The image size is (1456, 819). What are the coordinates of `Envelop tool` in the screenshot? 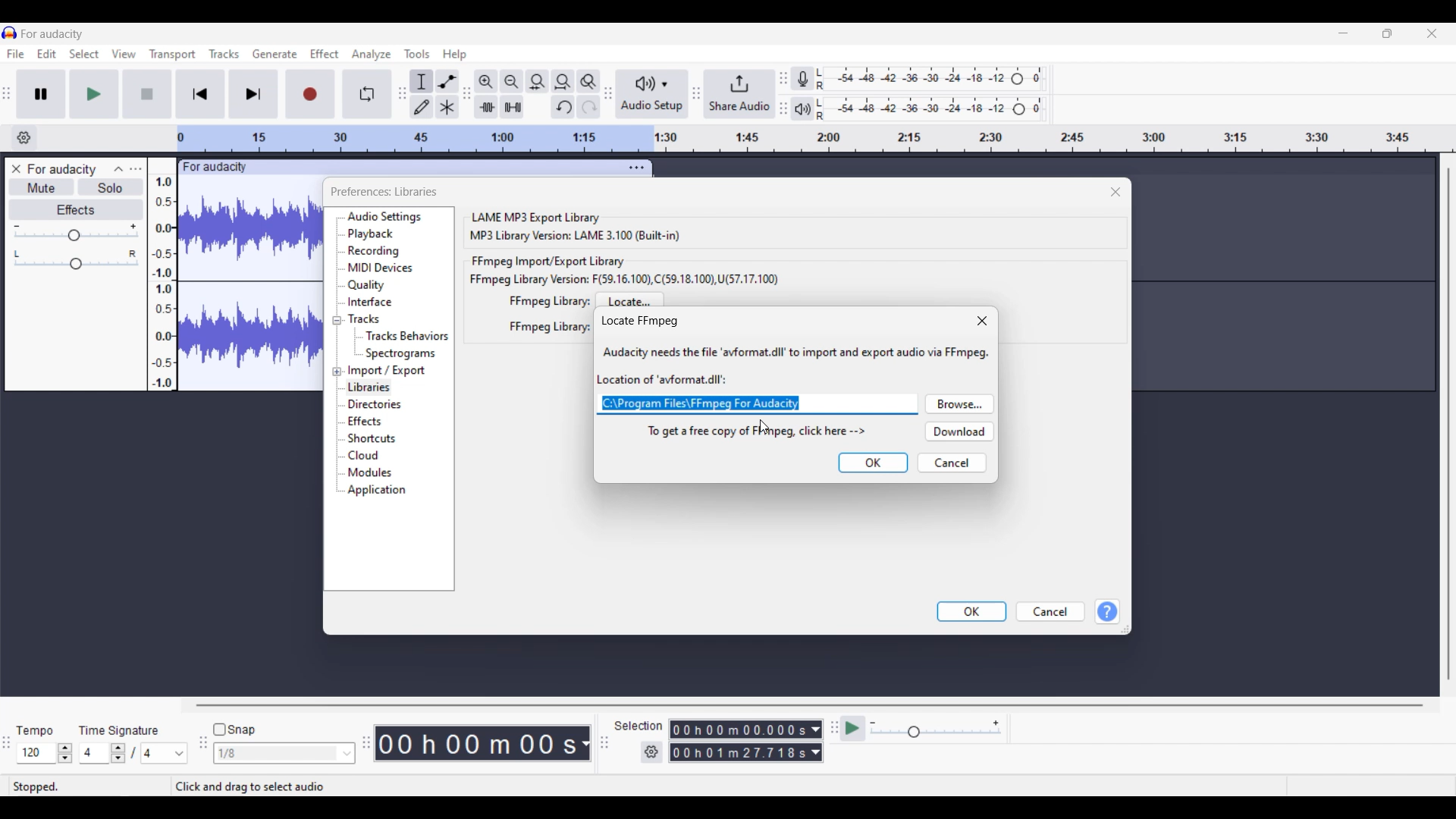 It's located at (447, 81).